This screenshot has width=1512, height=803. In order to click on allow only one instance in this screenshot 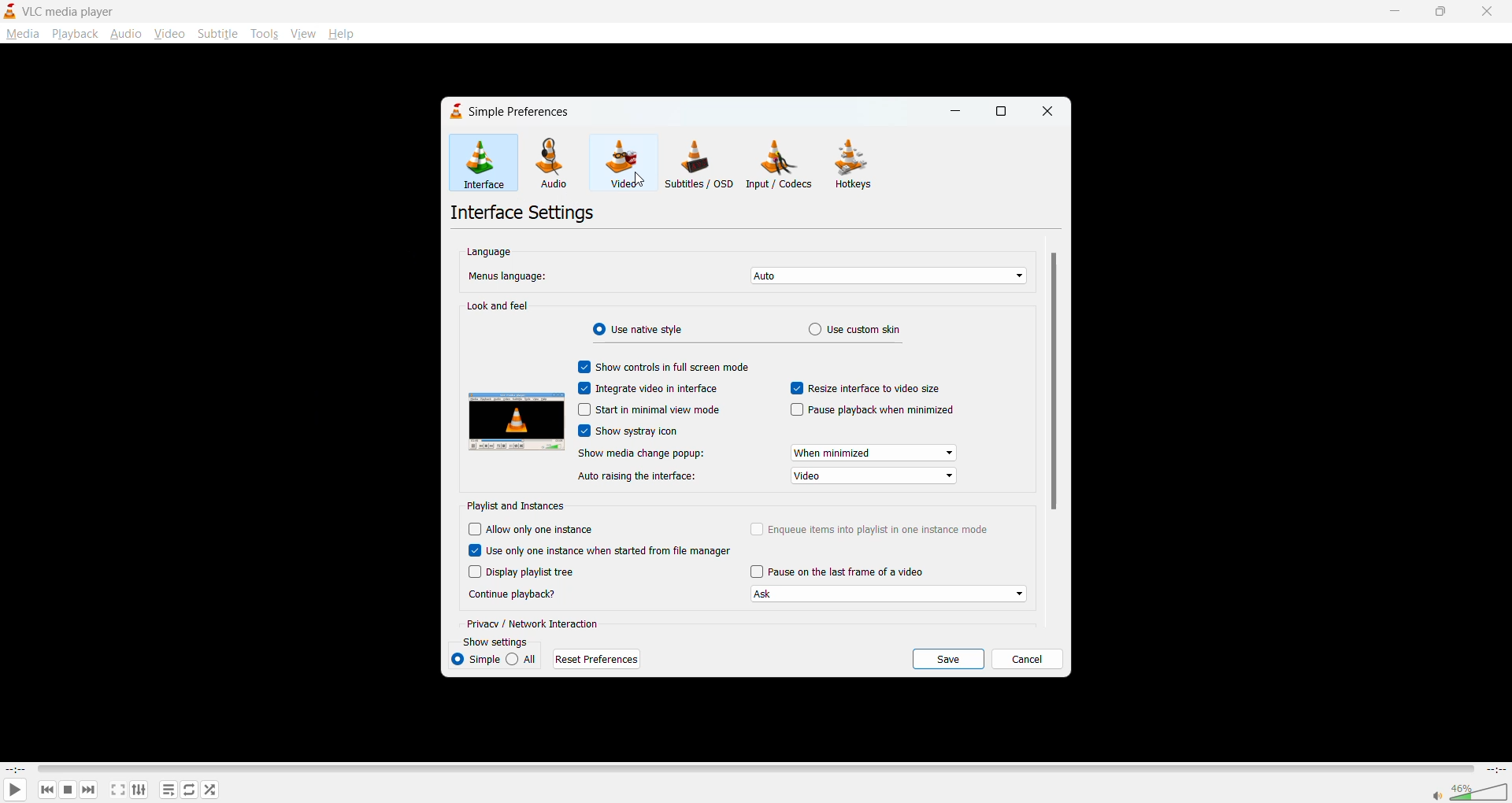, I will do `click(539, 528)`.